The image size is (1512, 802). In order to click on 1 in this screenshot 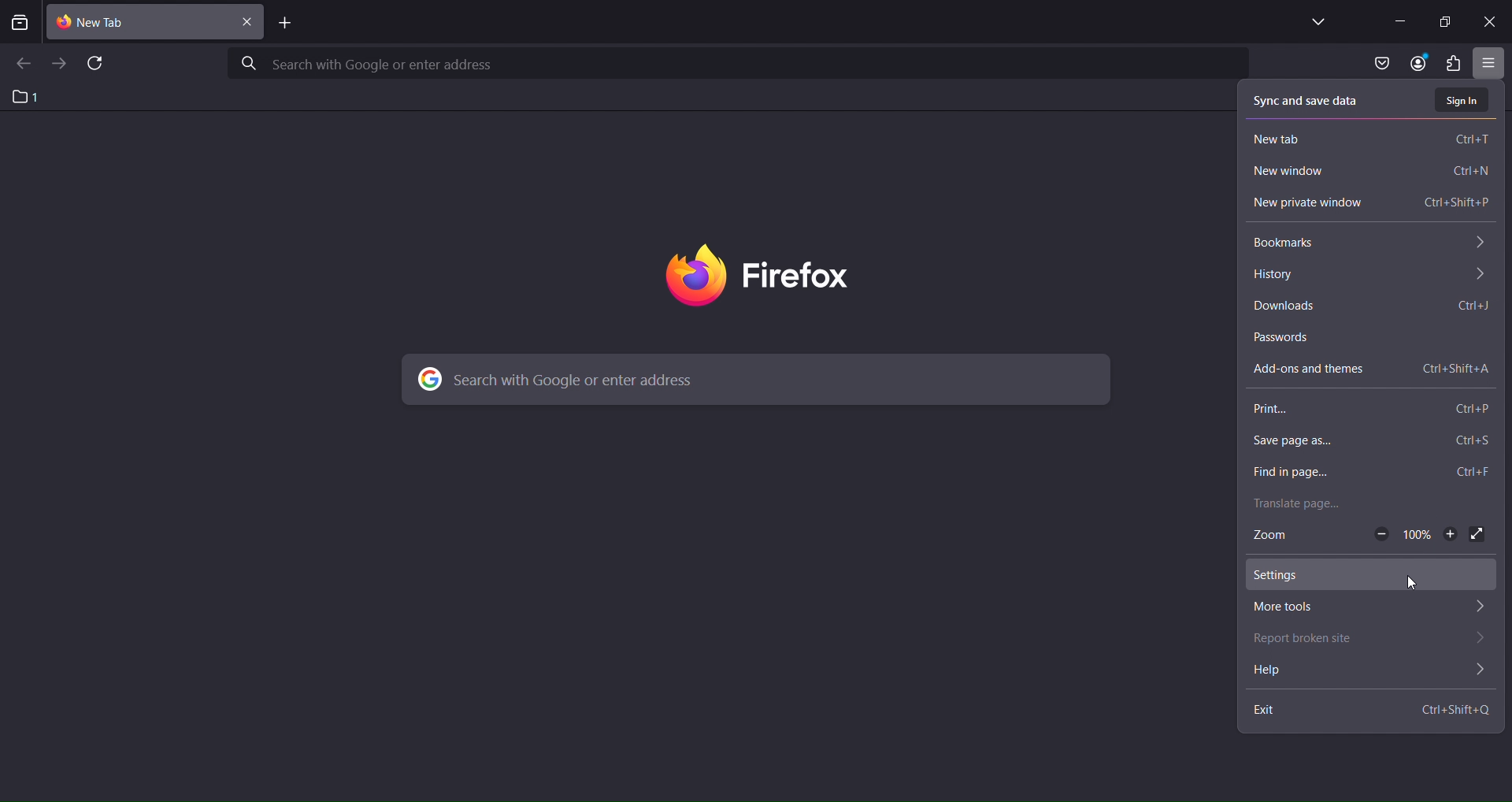, I will do `click(31, 97)`.